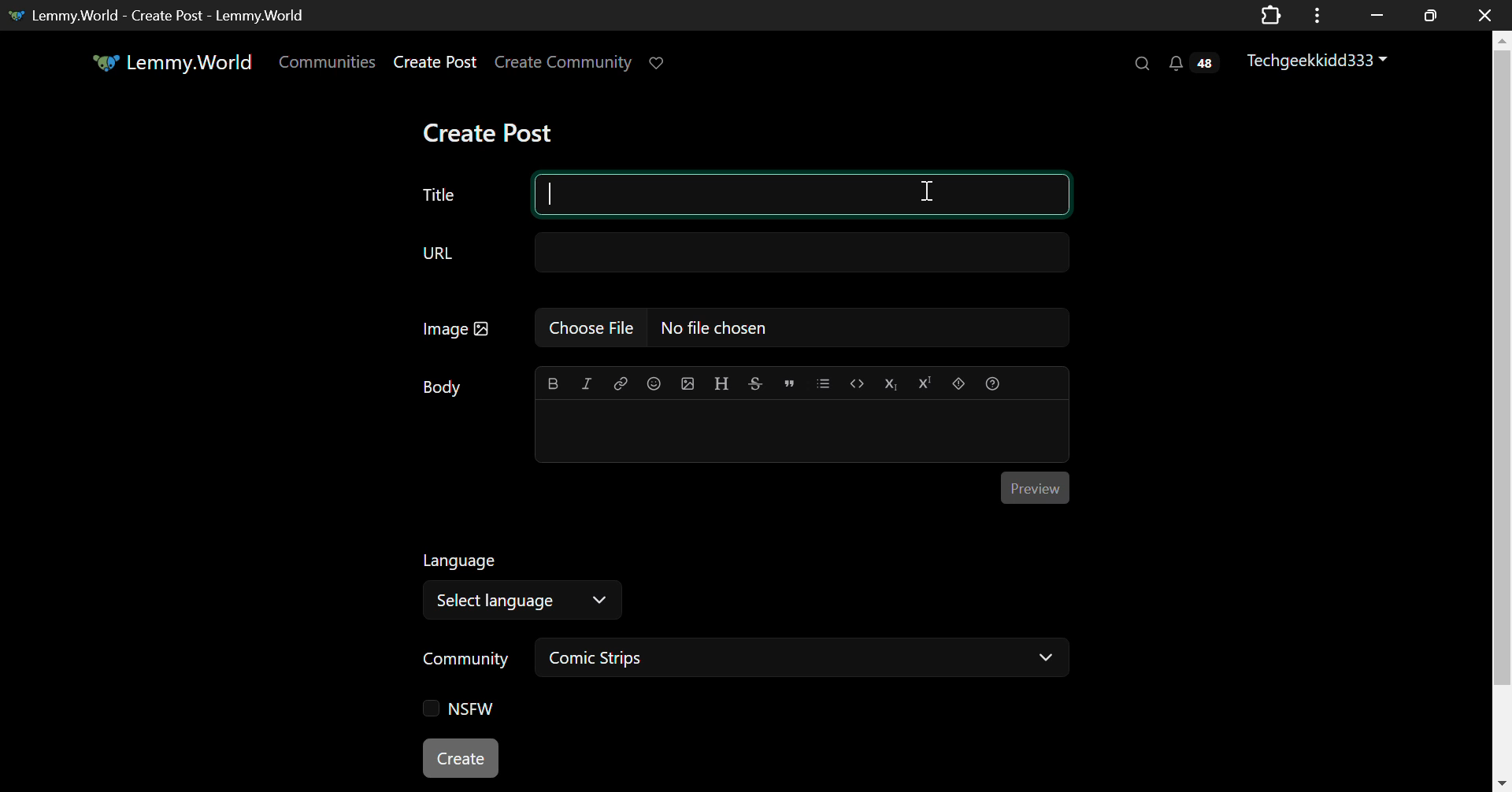 This screenshot has height=792, width=1512. Describe the element at coordinates (459, 561) in the screenshot. I see `Language` at that location.